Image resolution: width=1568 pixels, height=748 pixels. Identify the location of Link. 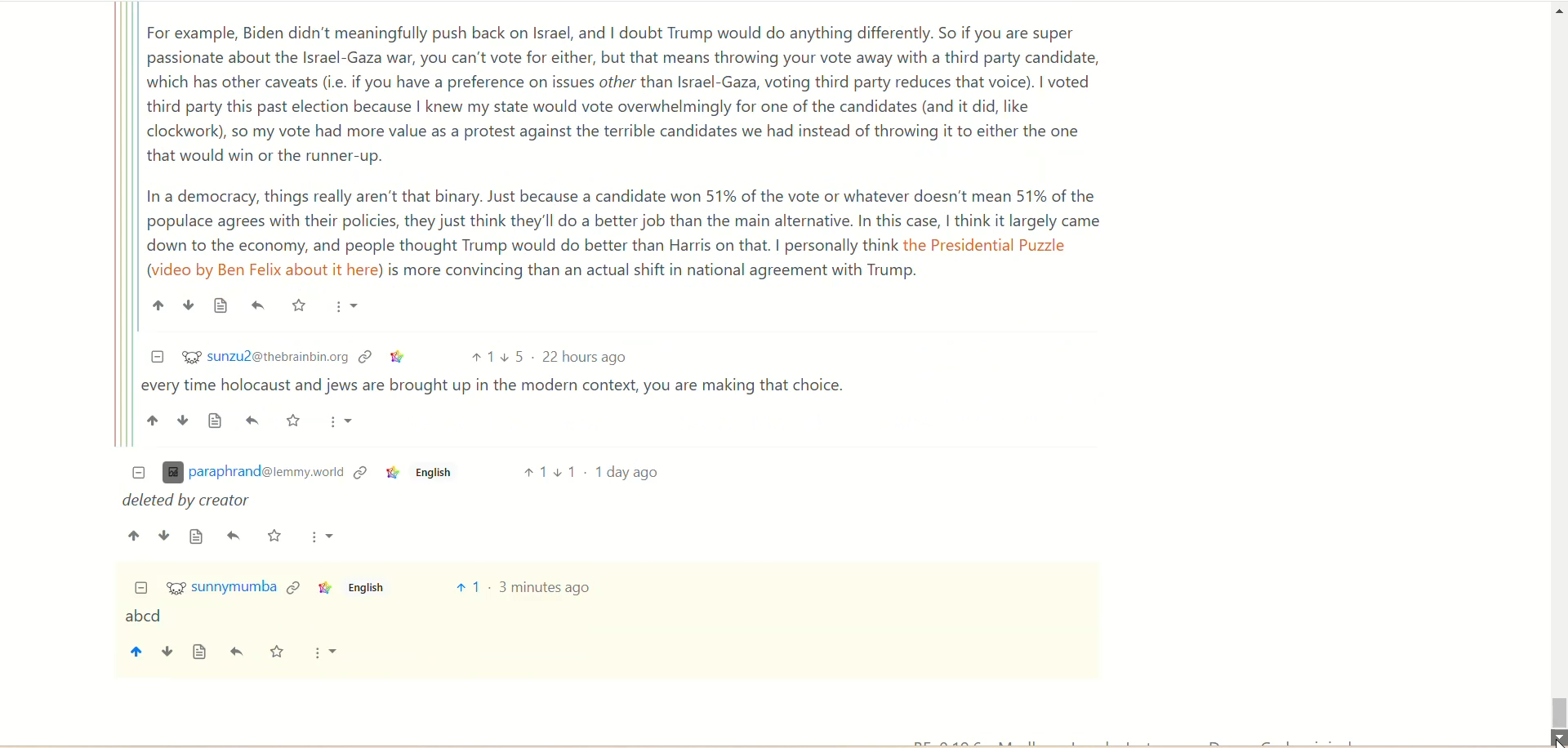
(397, 357).